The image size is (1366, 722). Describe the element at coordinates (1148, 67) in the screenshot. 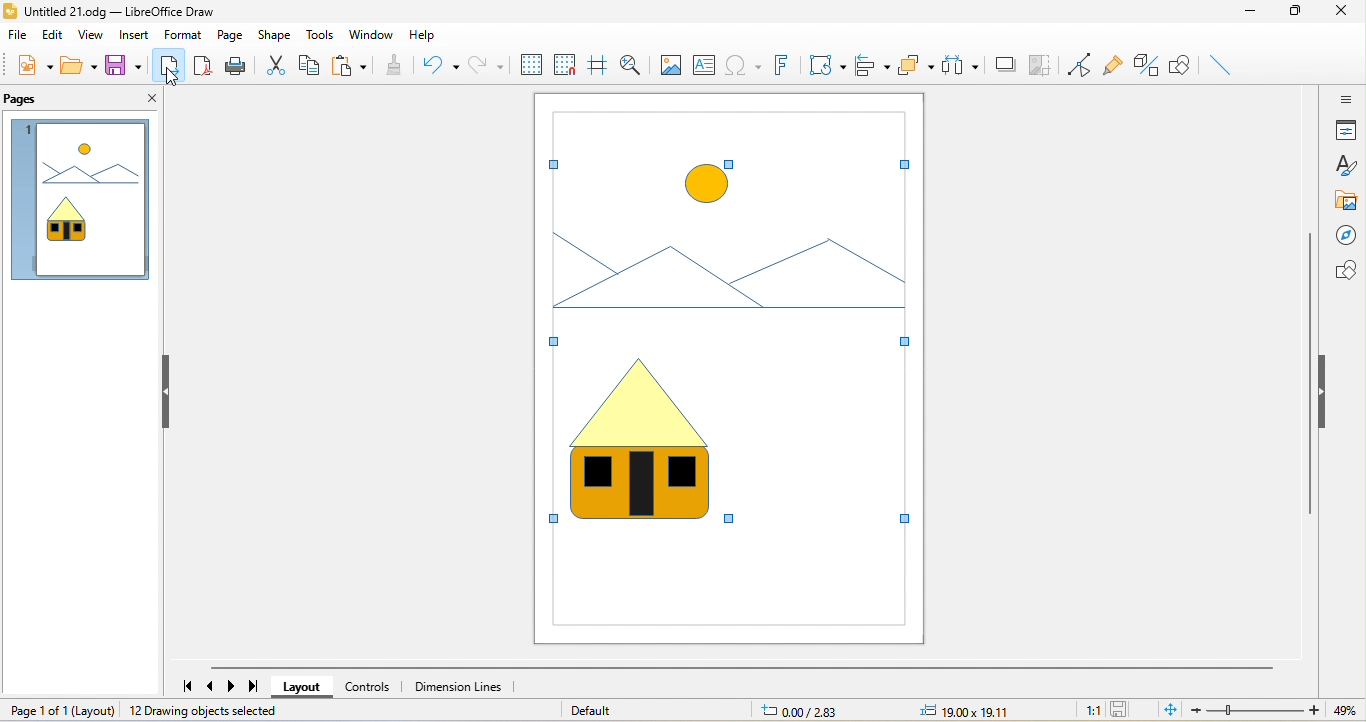

I see `toggle extrusion` at that location.